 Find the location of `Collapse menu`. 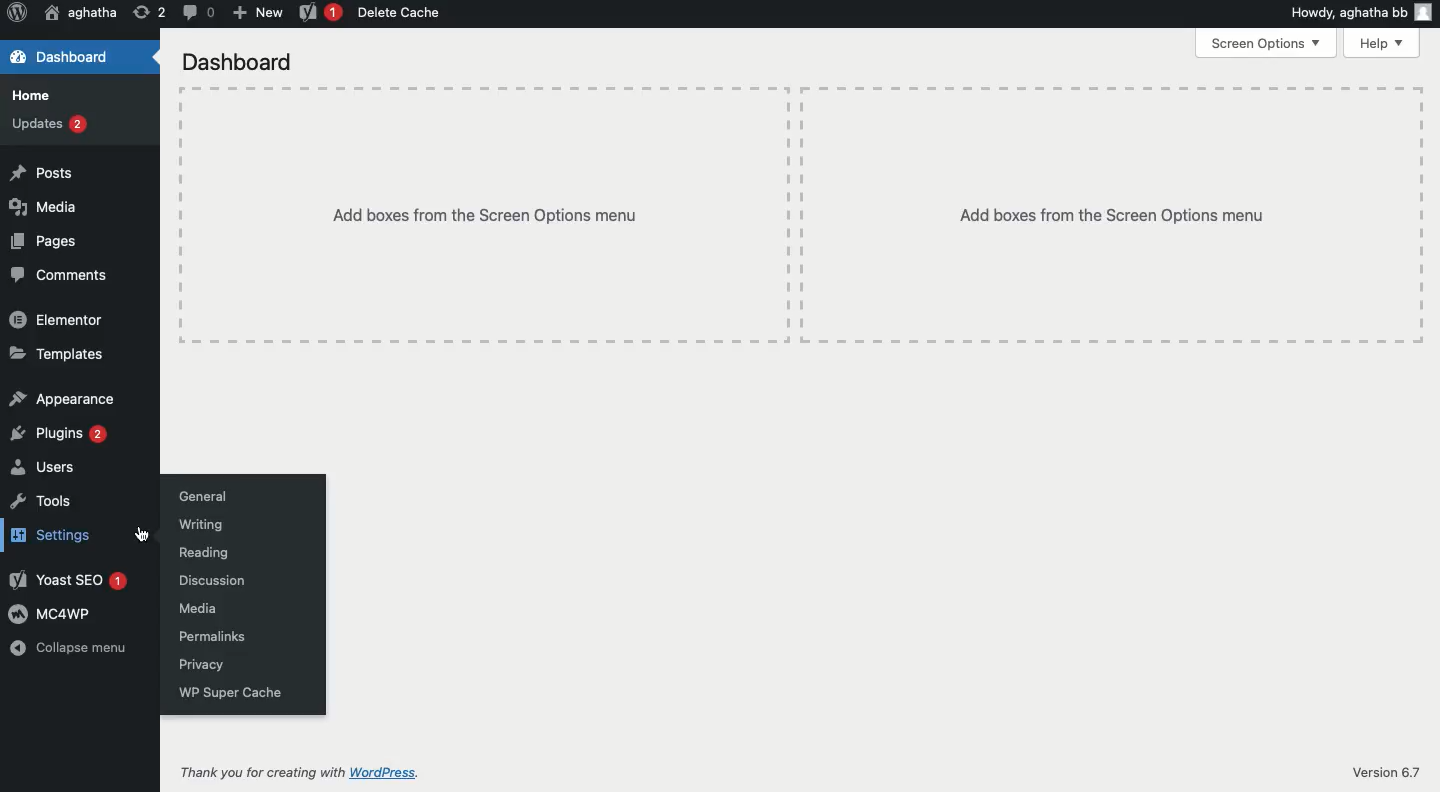

Collapse menu is located at coordinates (67, 648).